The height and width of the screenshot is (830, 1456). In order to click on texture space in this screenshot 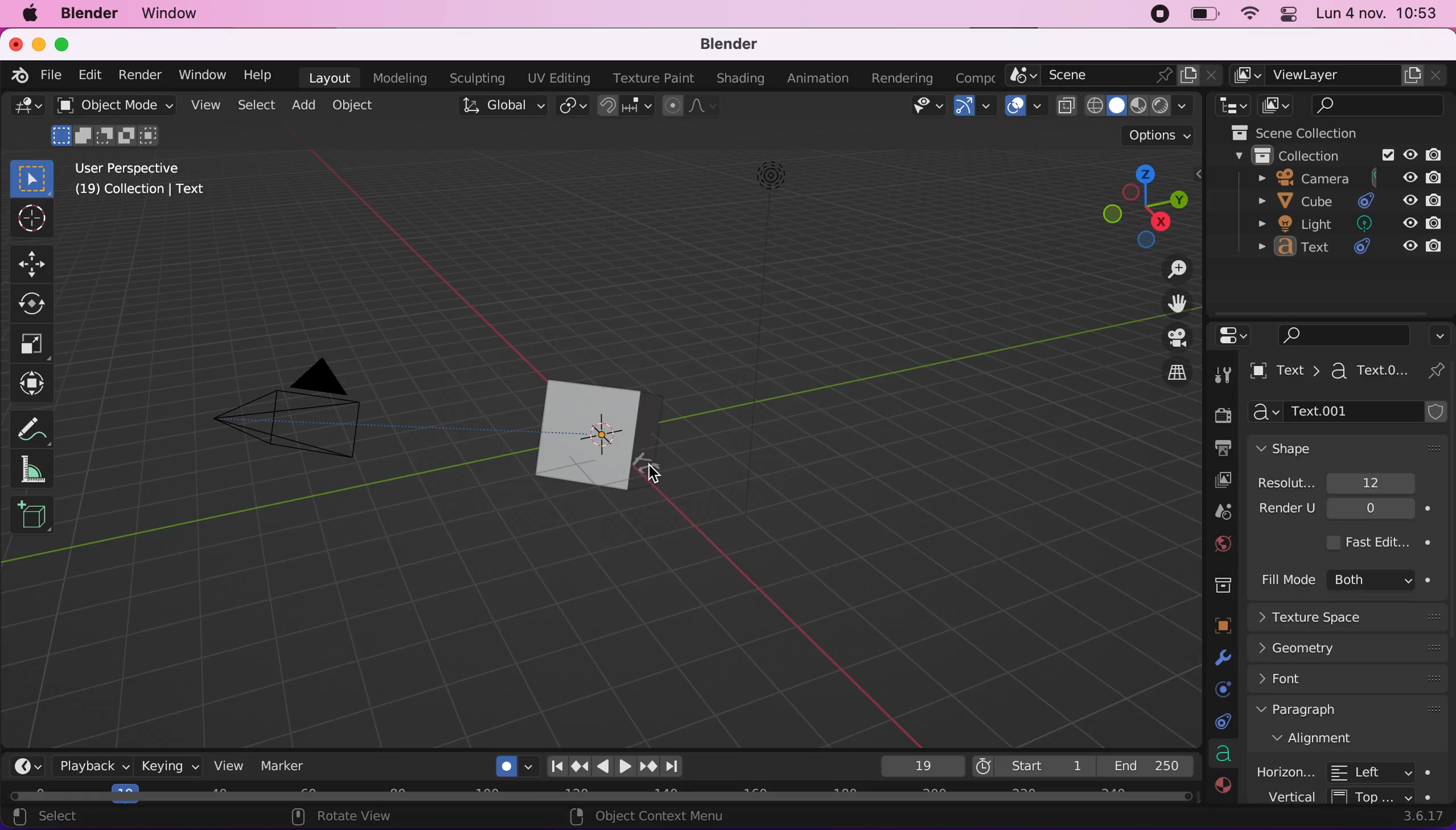, I will do `click(1355, 618)`.